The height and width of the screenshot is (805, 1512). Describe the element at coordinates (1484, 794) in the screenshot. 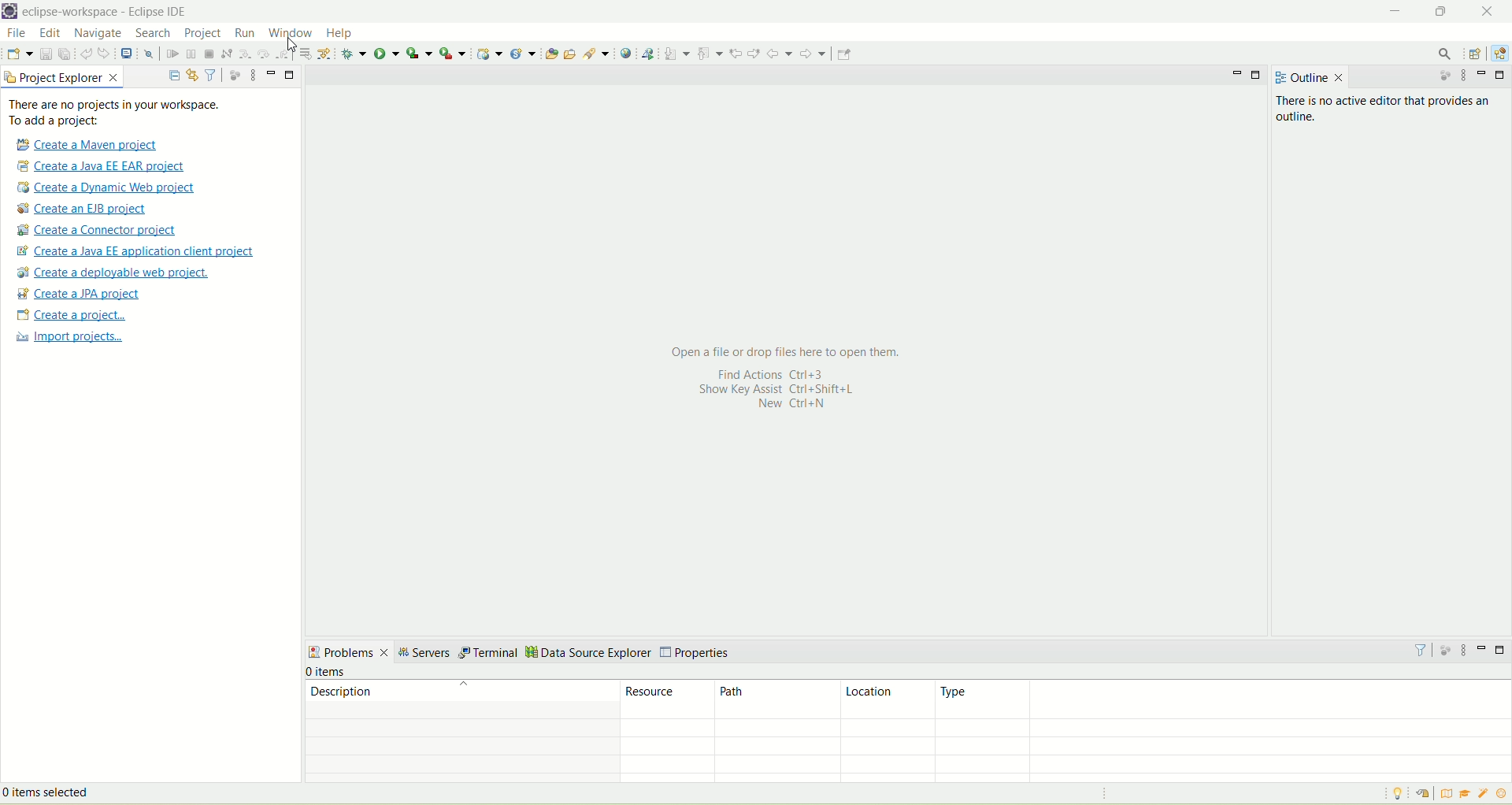

I see `samples` at that location.